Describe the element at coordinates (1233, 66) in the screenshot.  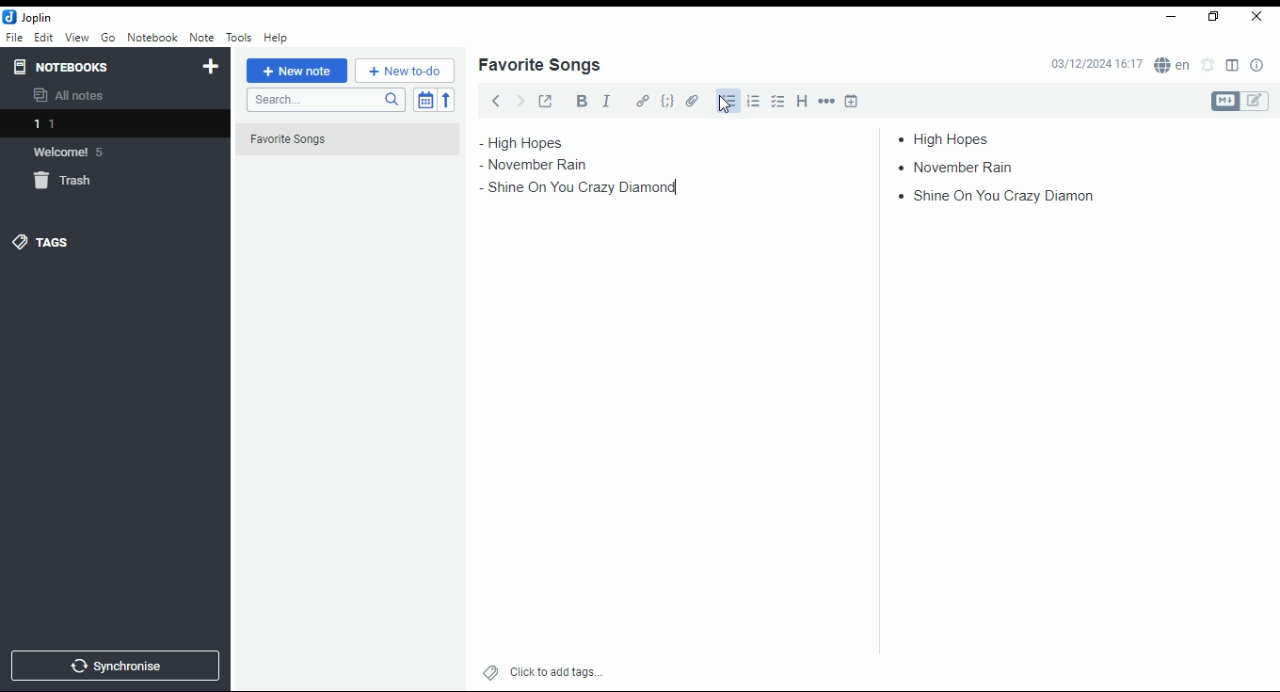
I see `toggle layout` at that location.